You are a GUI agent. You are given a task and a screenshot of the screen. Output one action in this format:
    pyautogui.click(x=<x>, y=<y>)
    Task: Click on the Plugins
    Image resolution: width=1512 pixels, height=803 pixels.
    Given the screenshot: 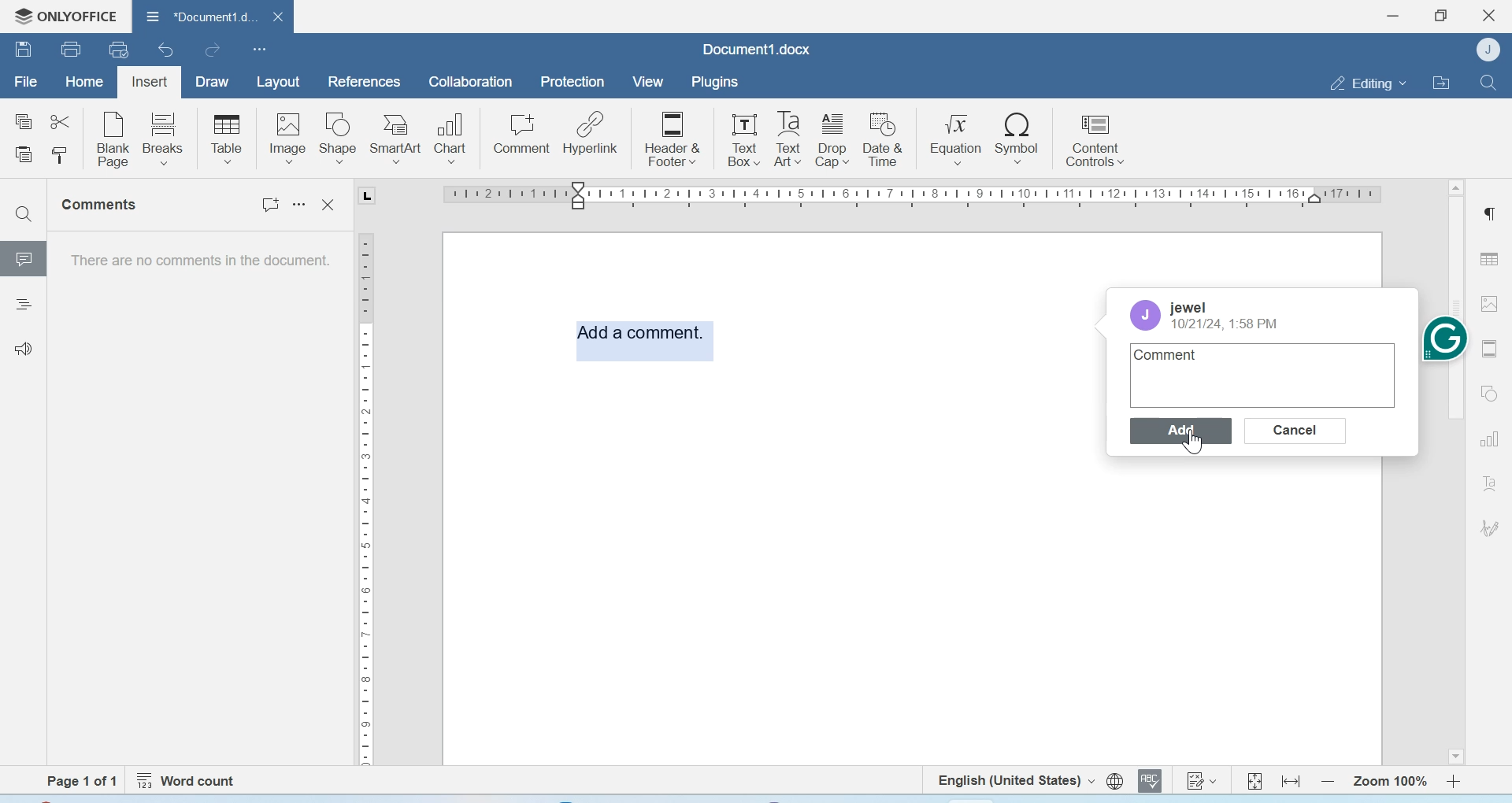 What is the action you would take?
    pyautogui.click(x=713, y=82)
    